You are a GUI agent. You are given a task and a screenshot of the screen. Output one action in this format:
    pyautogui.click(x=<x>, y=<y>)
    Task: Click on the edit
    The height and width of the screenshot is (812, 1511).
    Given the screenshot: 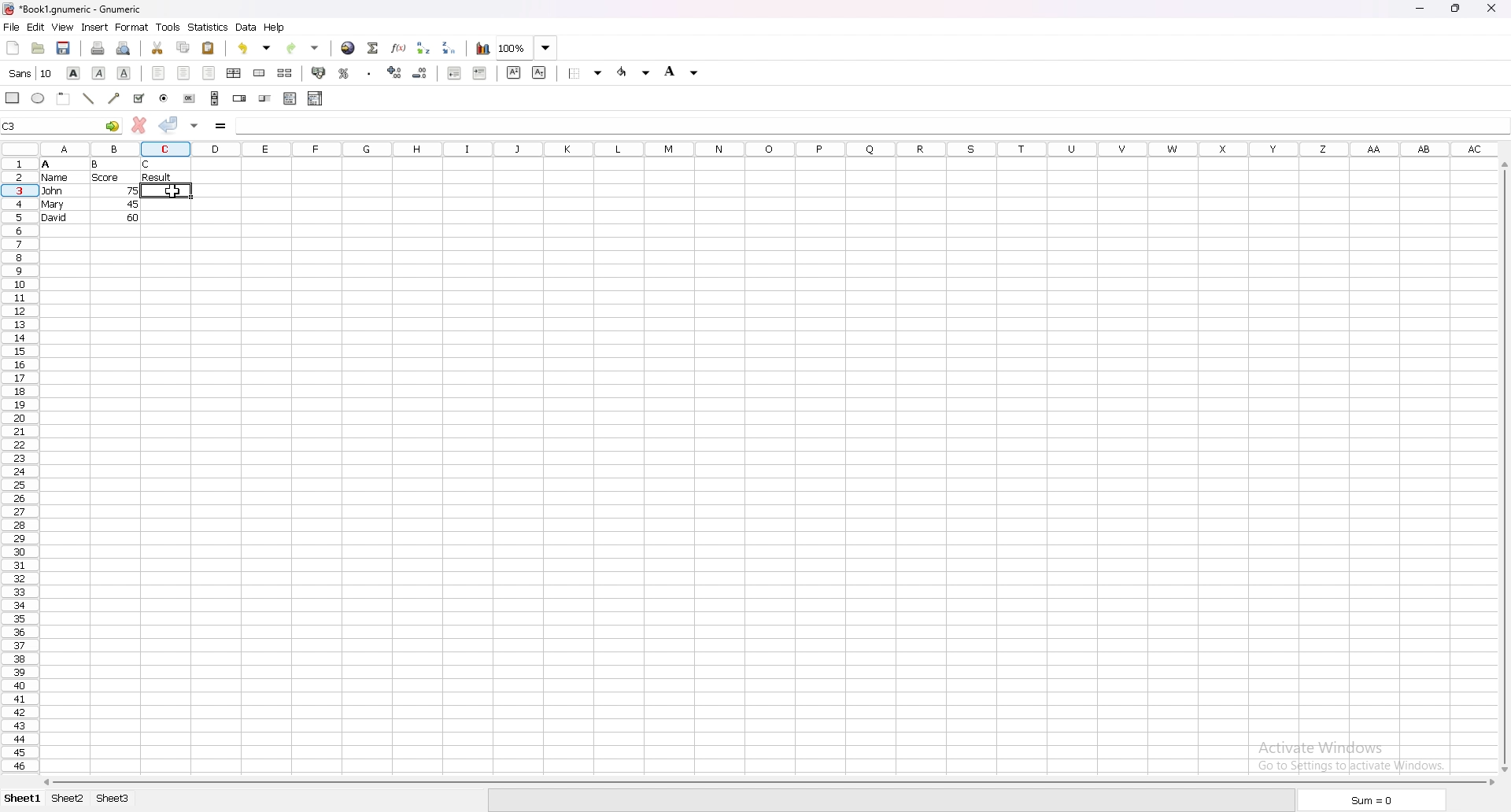 What is the action you would take?
    pyautogui.click(x=35, y=28)
    